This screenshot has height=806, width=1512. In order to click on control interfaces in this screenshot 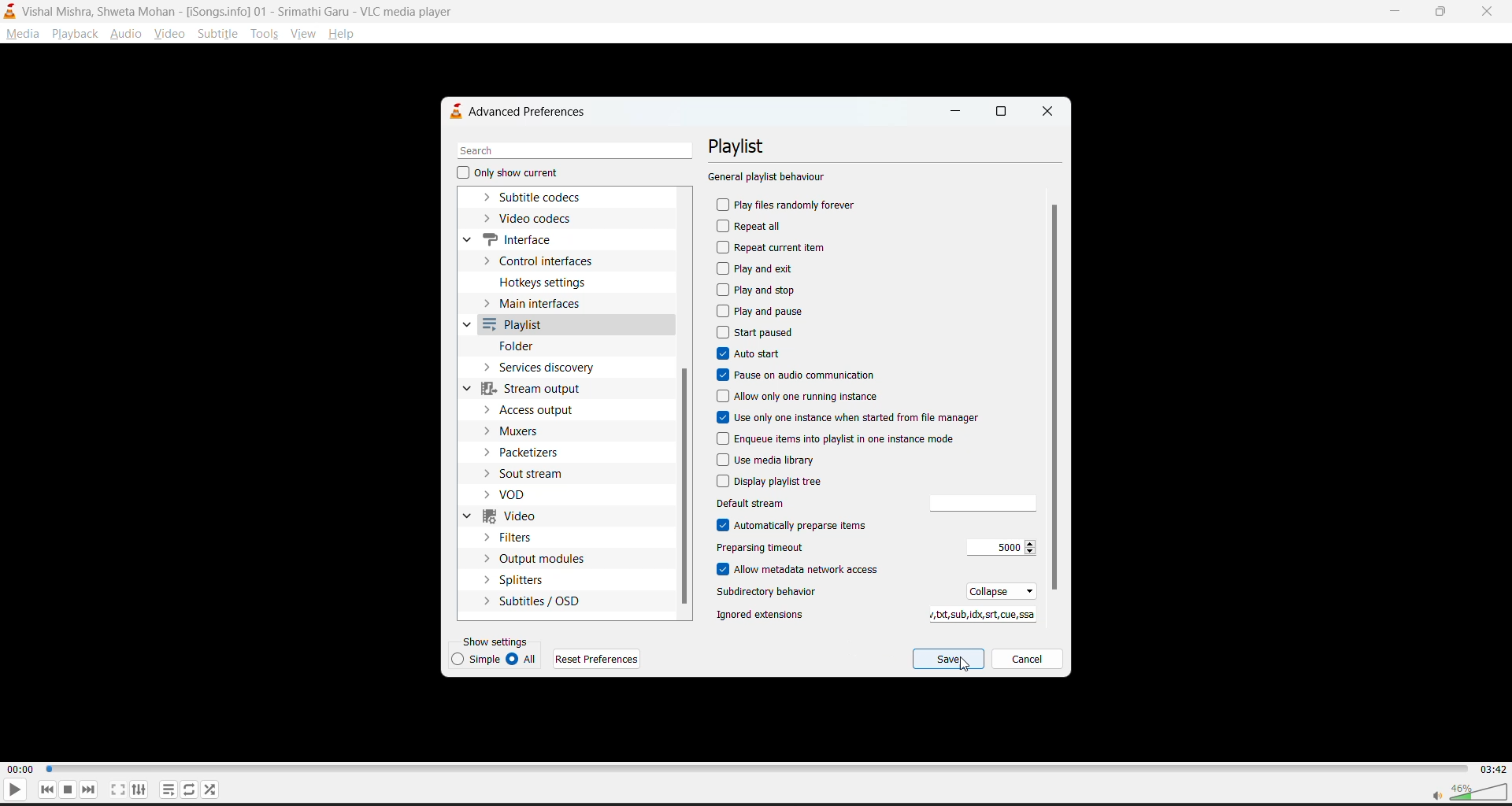, I will do `click(544, 261)`.